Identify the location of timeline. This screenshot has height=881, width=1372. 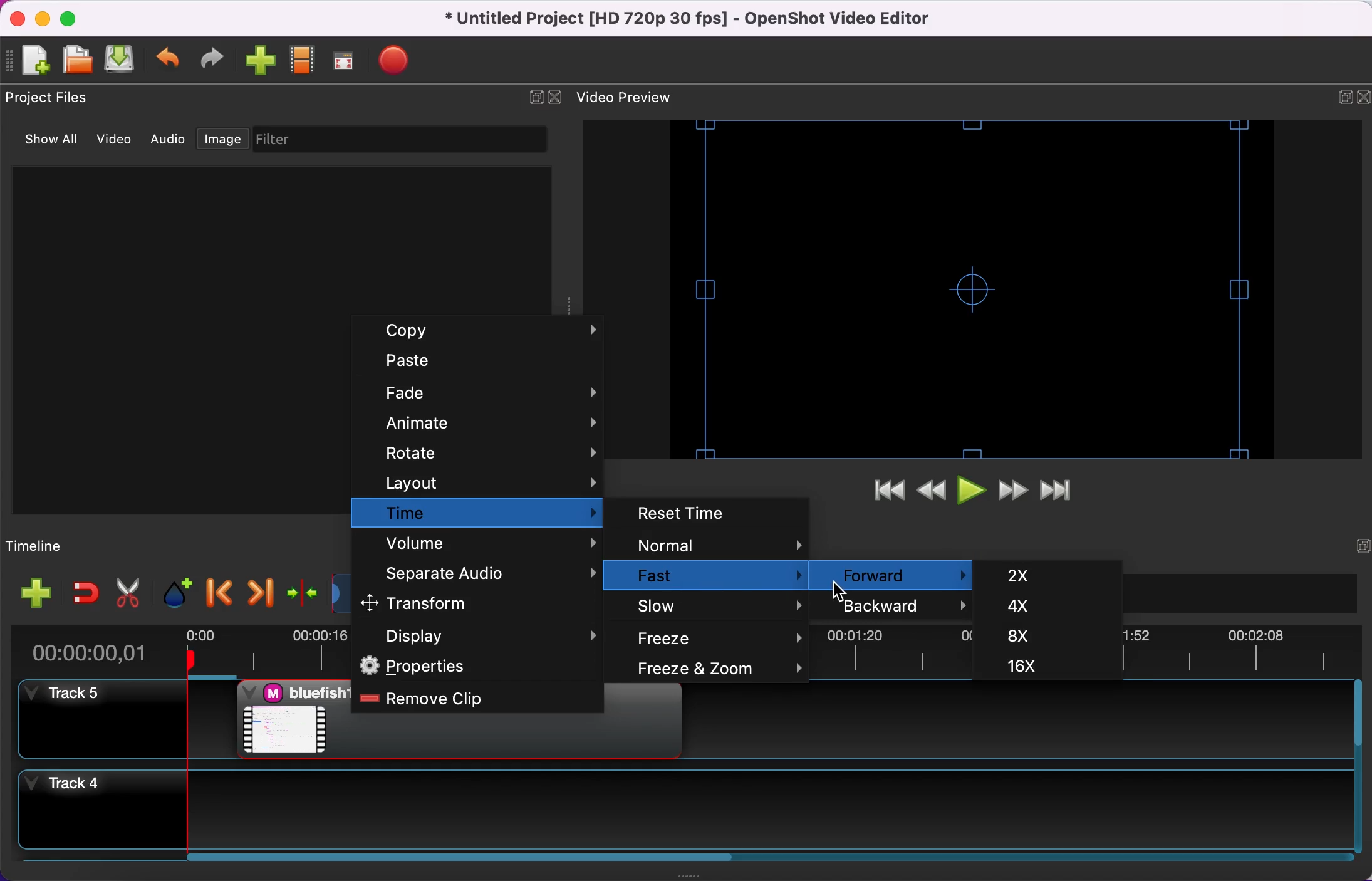
(48, 544).